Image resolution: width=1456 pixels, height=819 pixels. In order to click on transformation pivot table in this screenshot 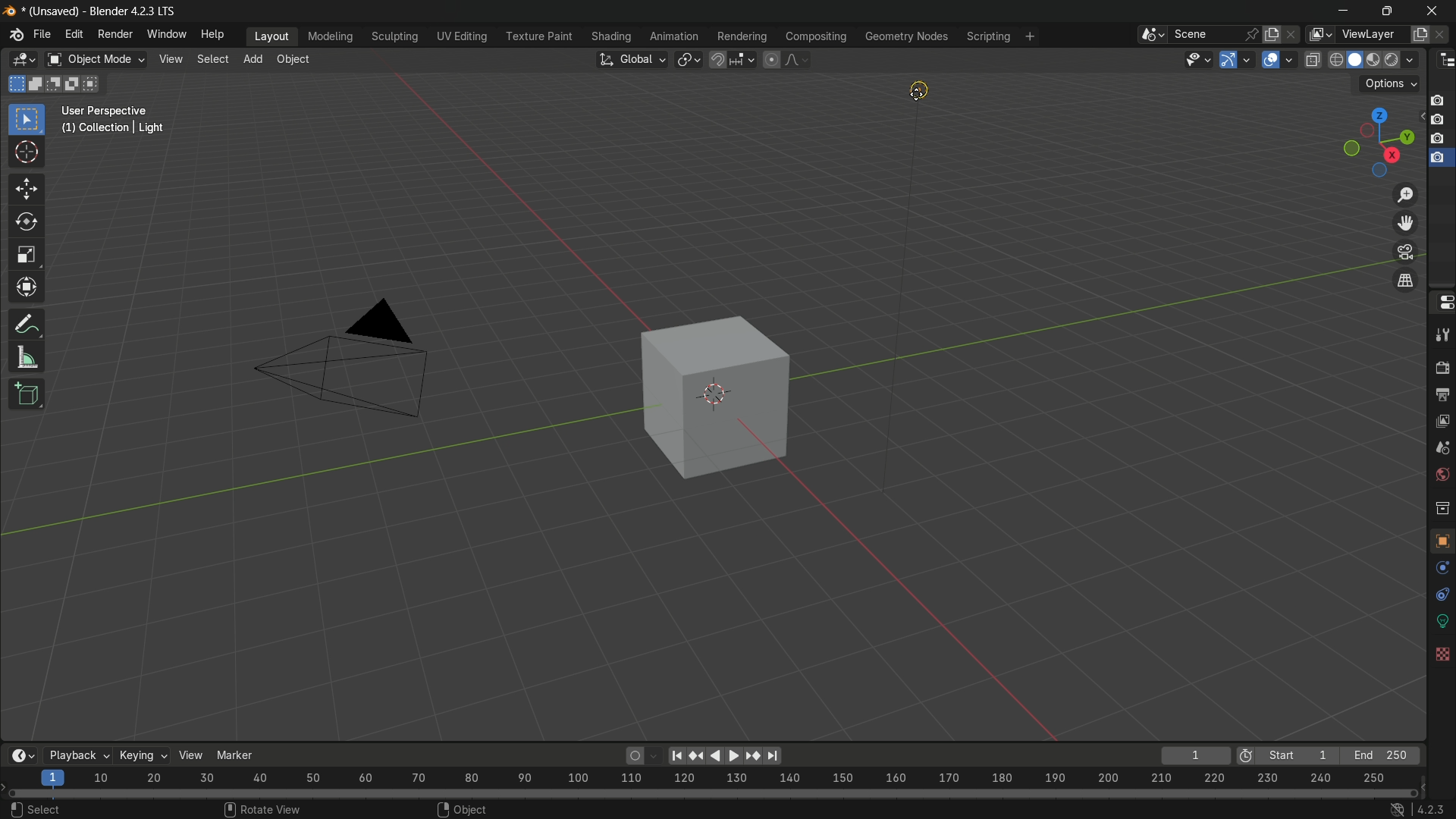, I will do `click(689, 58)`.